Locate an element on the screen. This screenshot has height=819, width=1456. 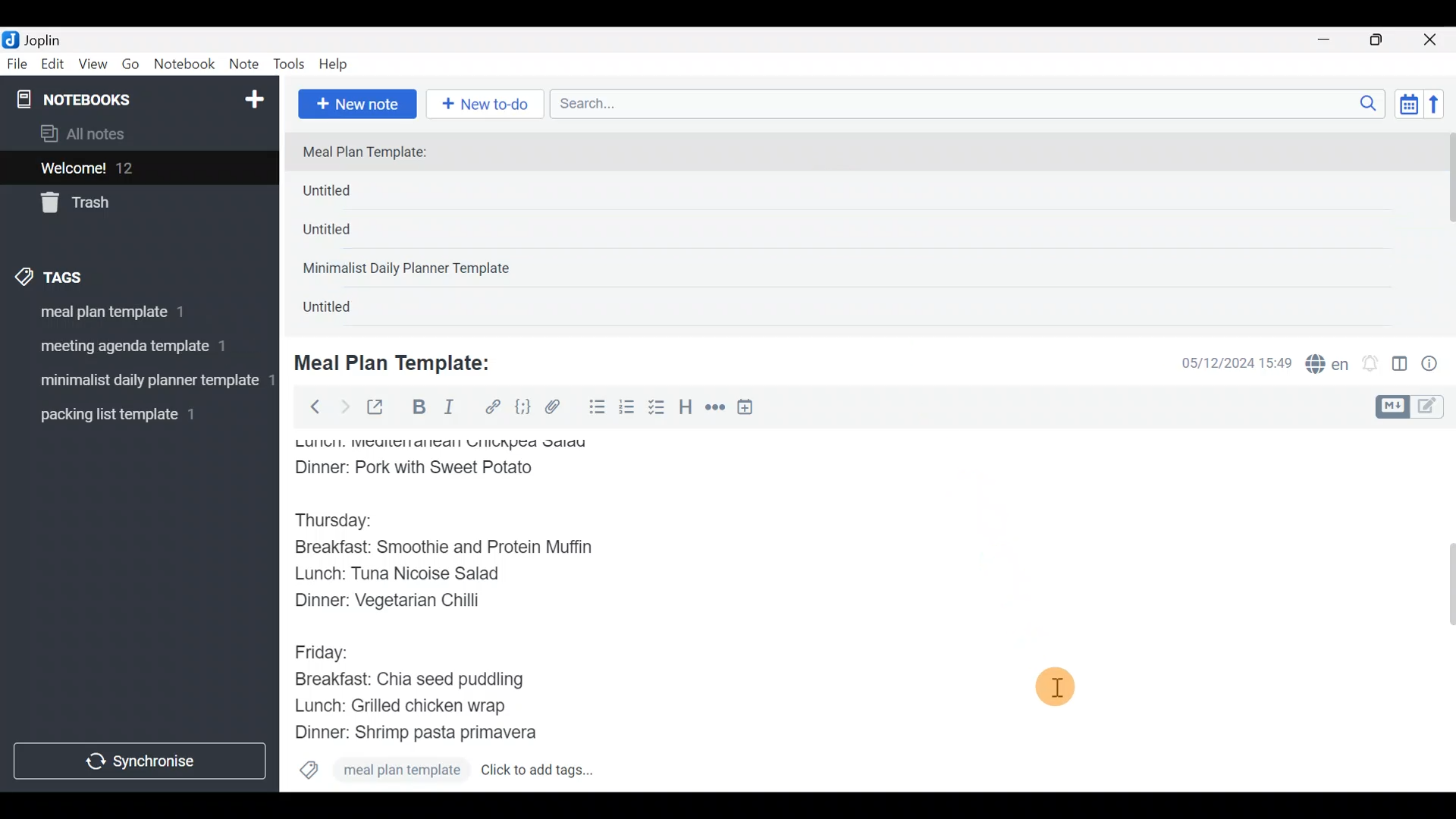
Tag 1 is located at coordinates (112, 311).